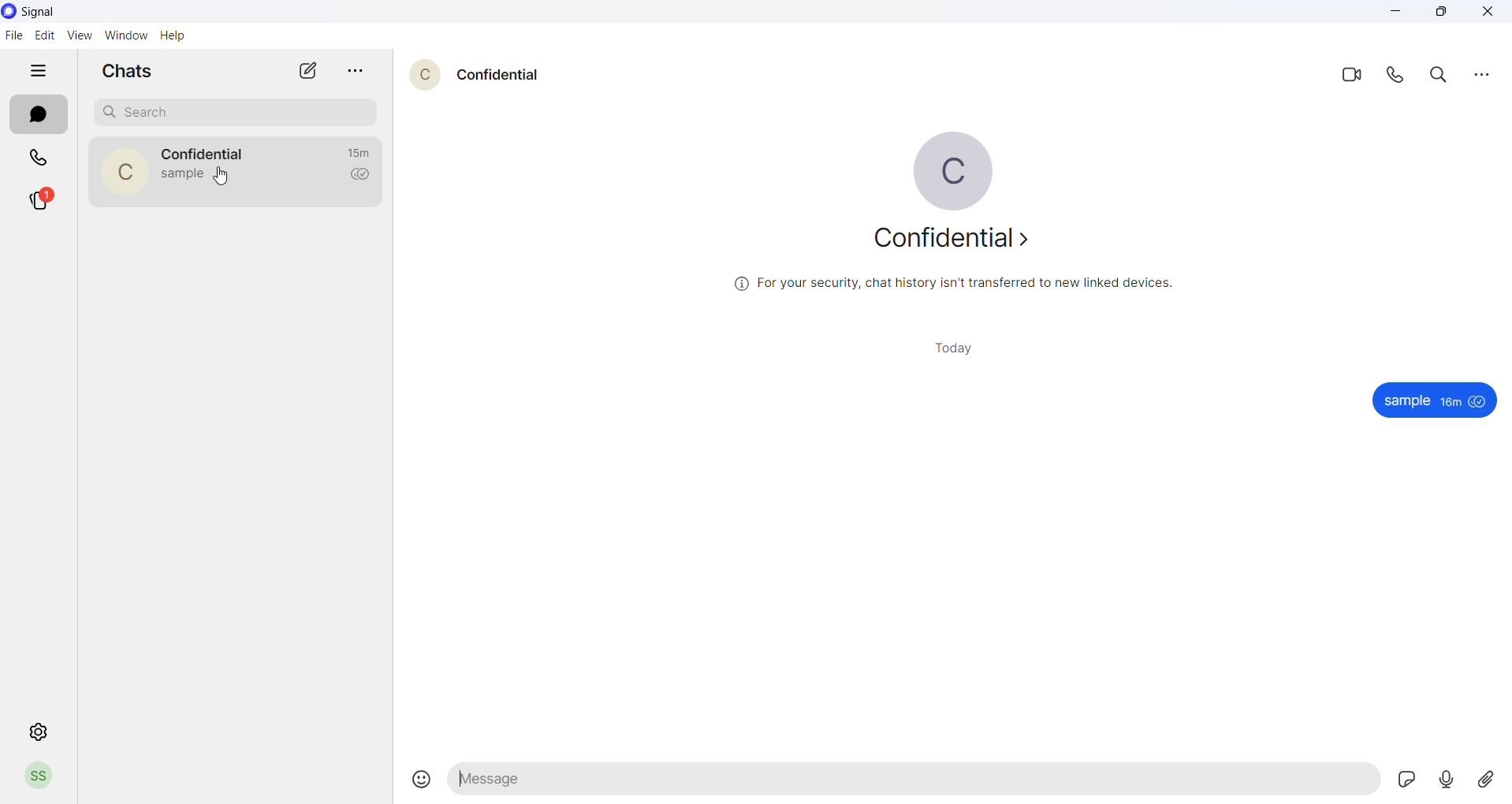  I want to click on call , so click(1401, 76).